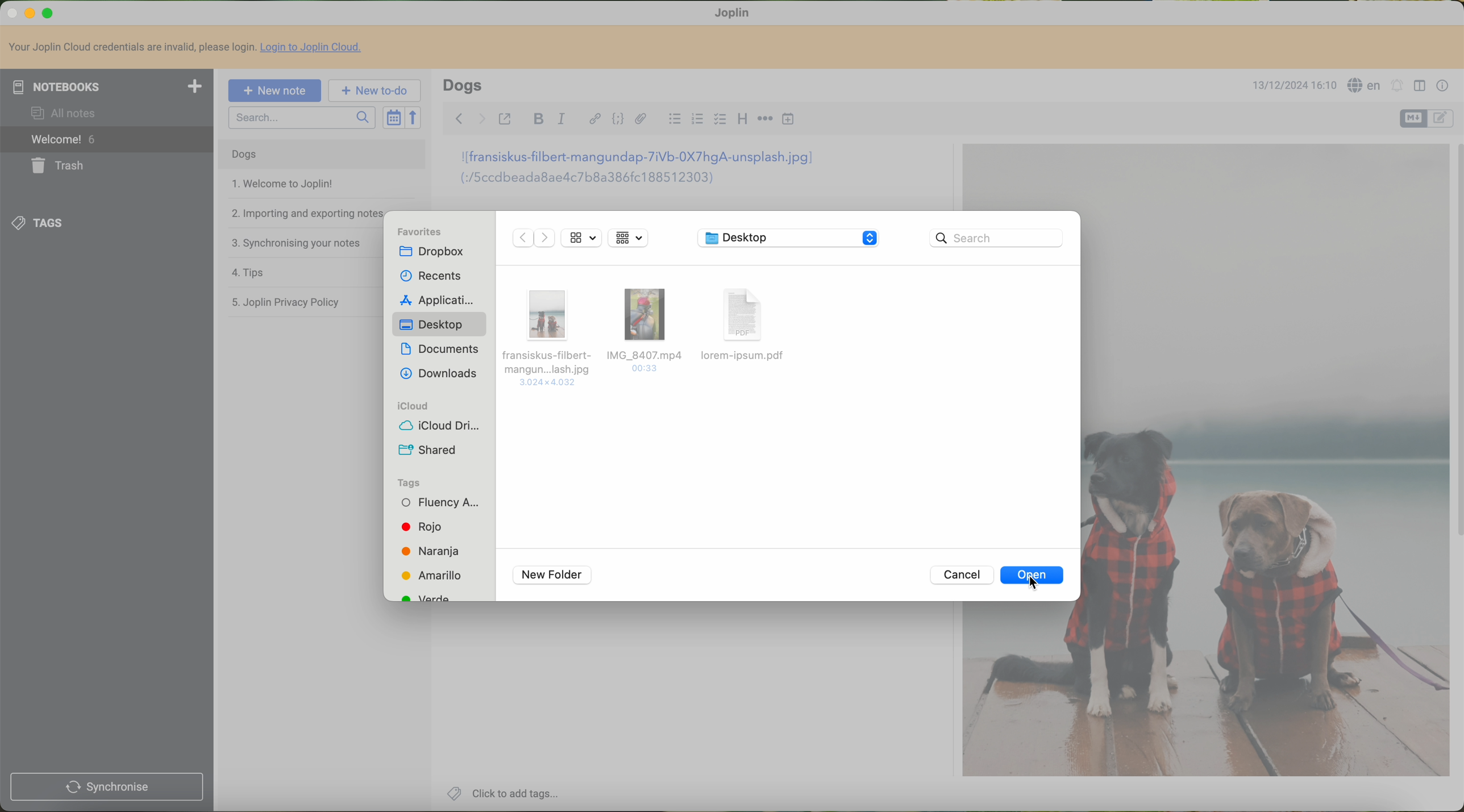 This screenshot has width=1464, height=812. Describe the element at coordinates (480, 118) in the screenshot. I see `navigate foward arrow` at that location.